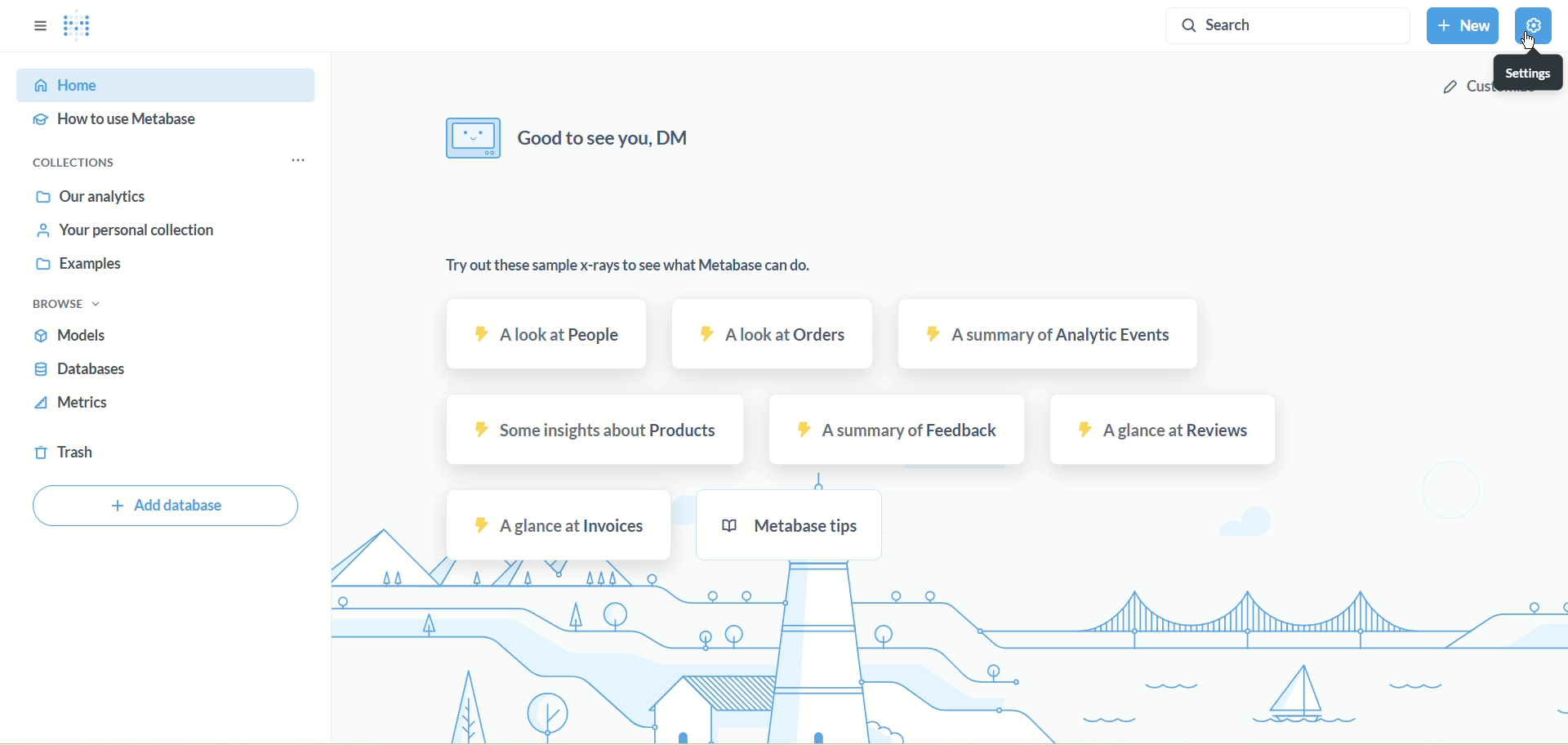  What do you see at coordinates (79, 28) in the screenshot?
I see `logo` at bounding box center [79, 28].